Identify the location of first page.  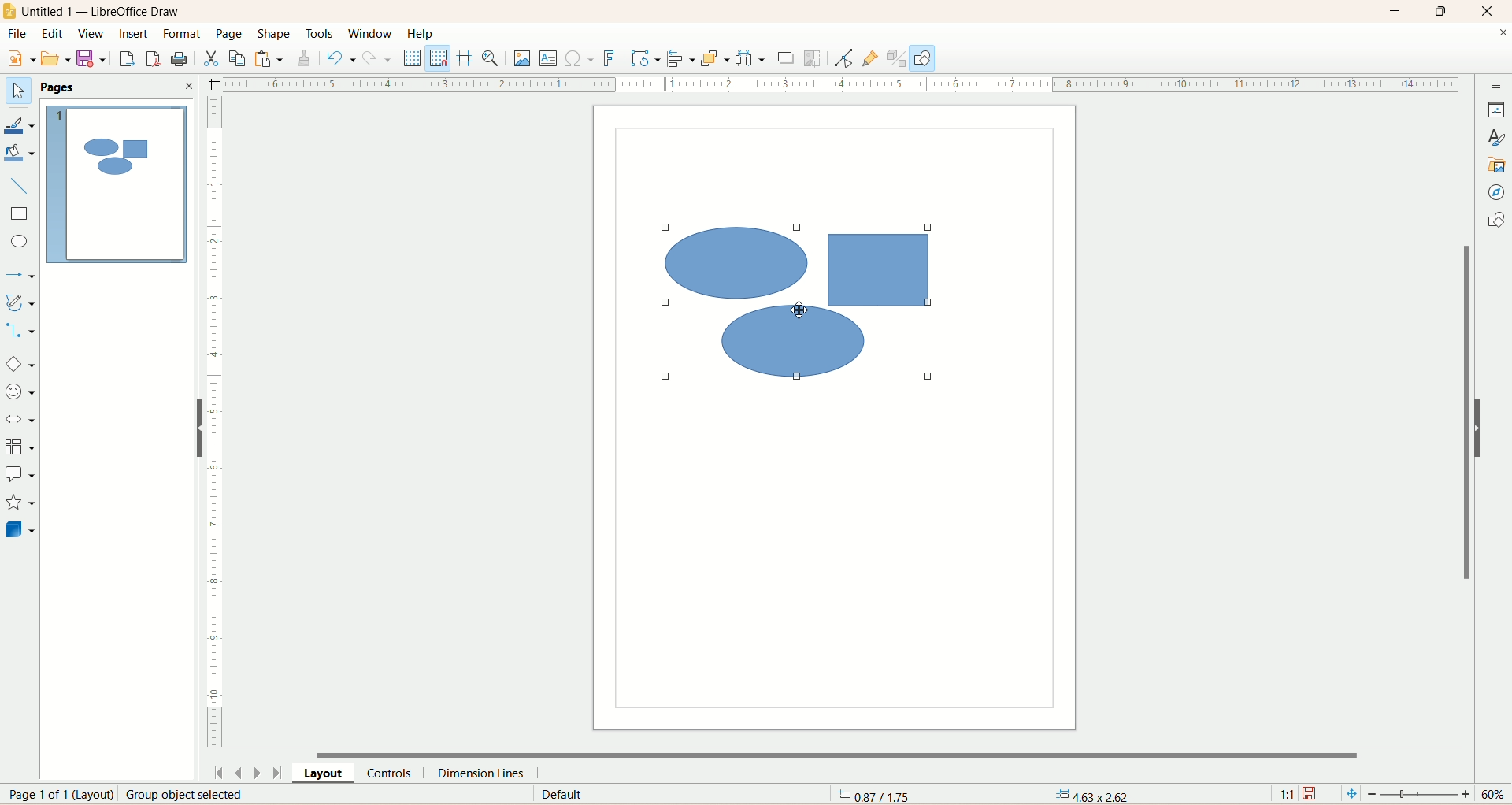
(220, 774).